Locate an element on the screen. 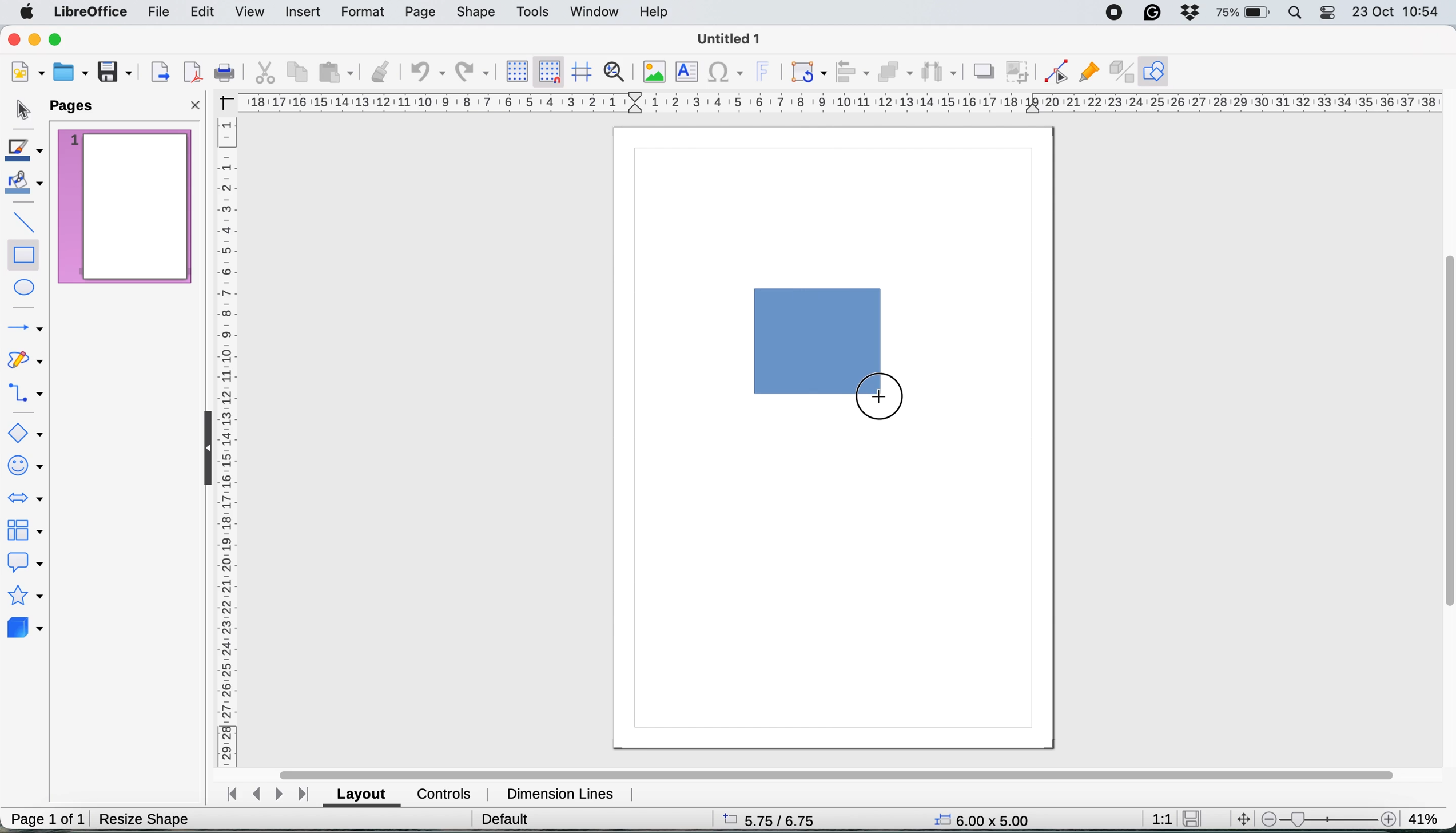 This screenshot has height=833, width=1456. save is located at coordinates (112, 72).